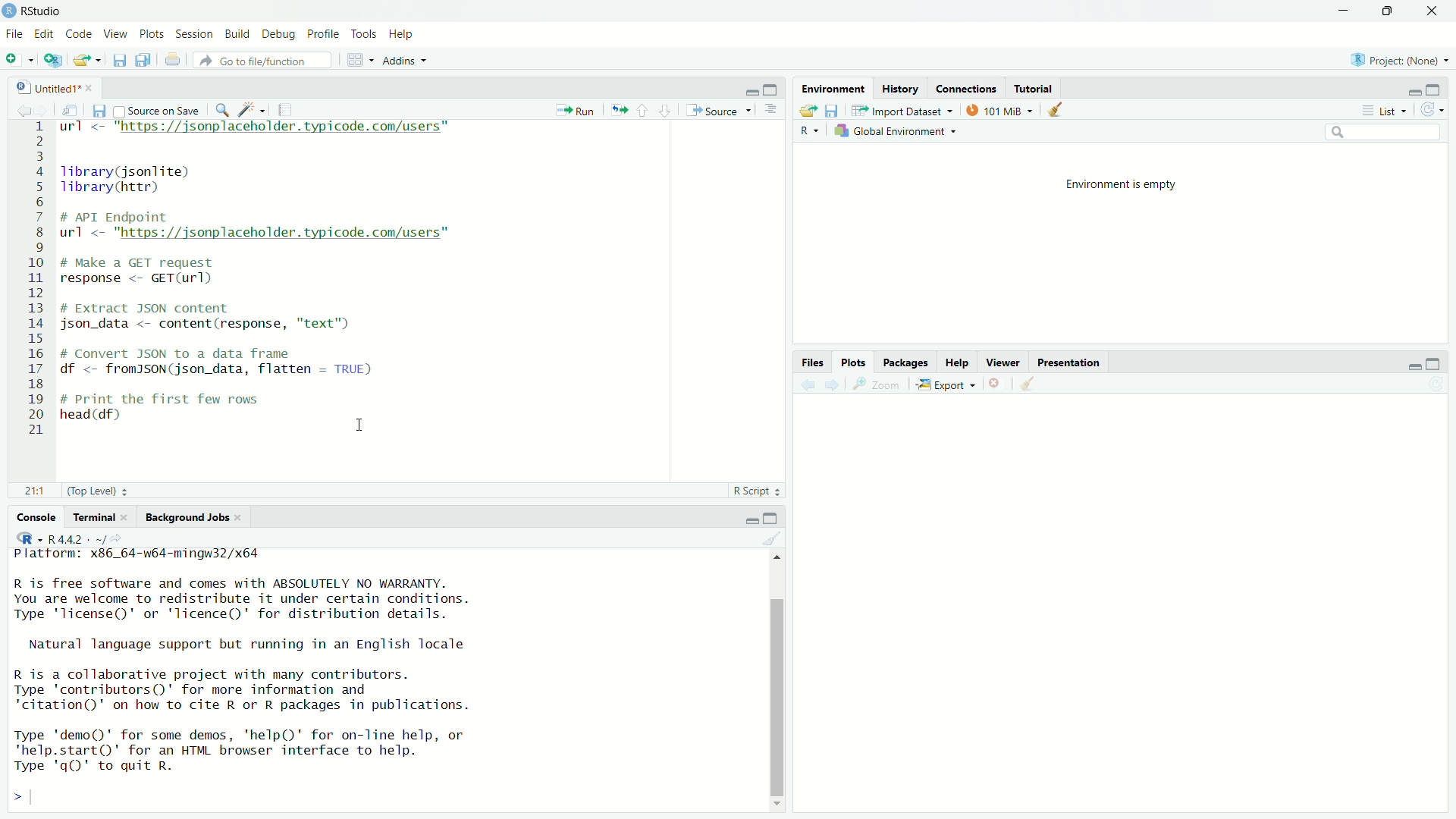 This screenshot has width=1456, height=819. Describe the element at coordinates (810, 131) in the screenshot. I see `R` at that location.